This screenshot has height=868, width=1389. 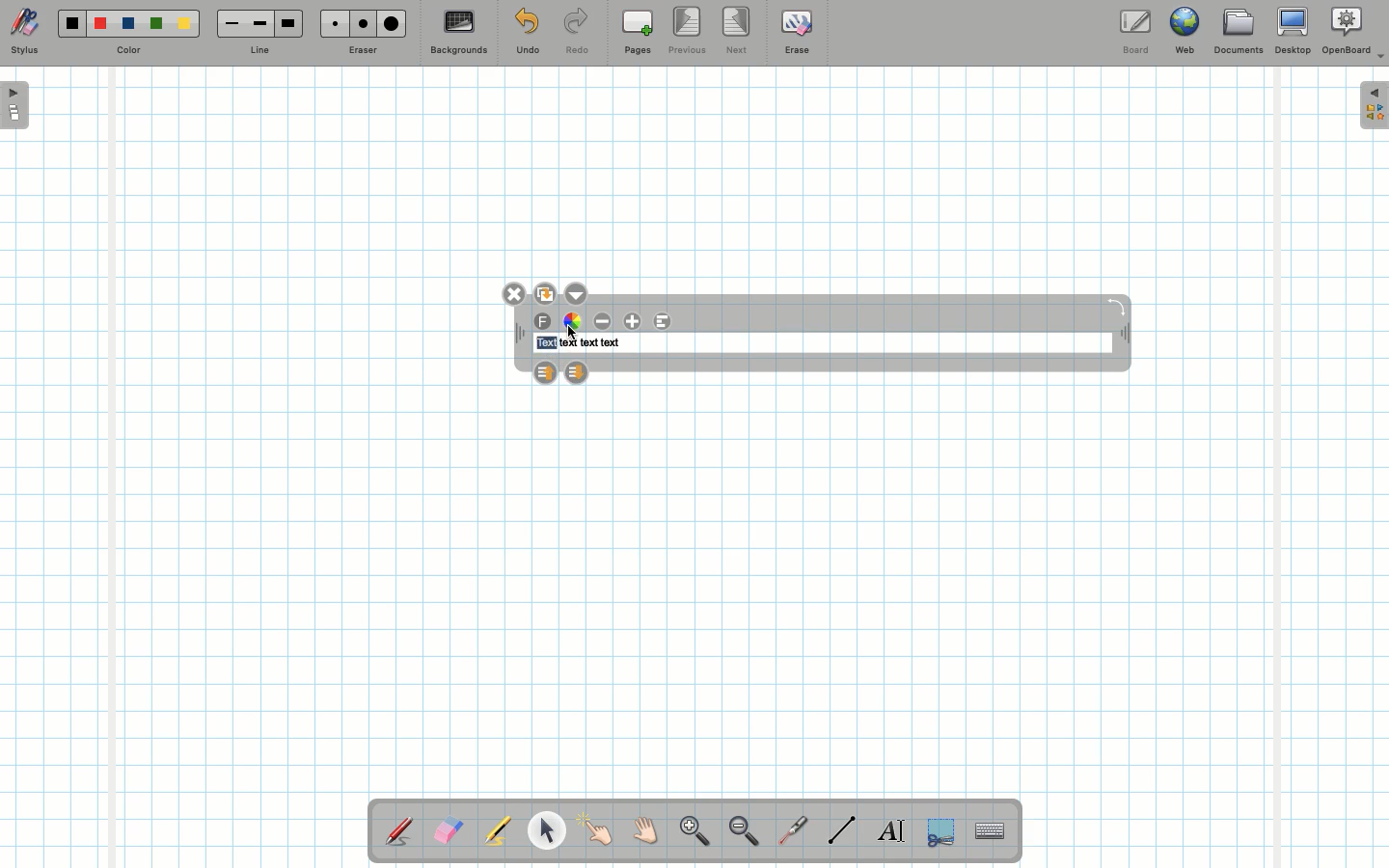 I want to click on Rotate, so click(x=1116, y=306).